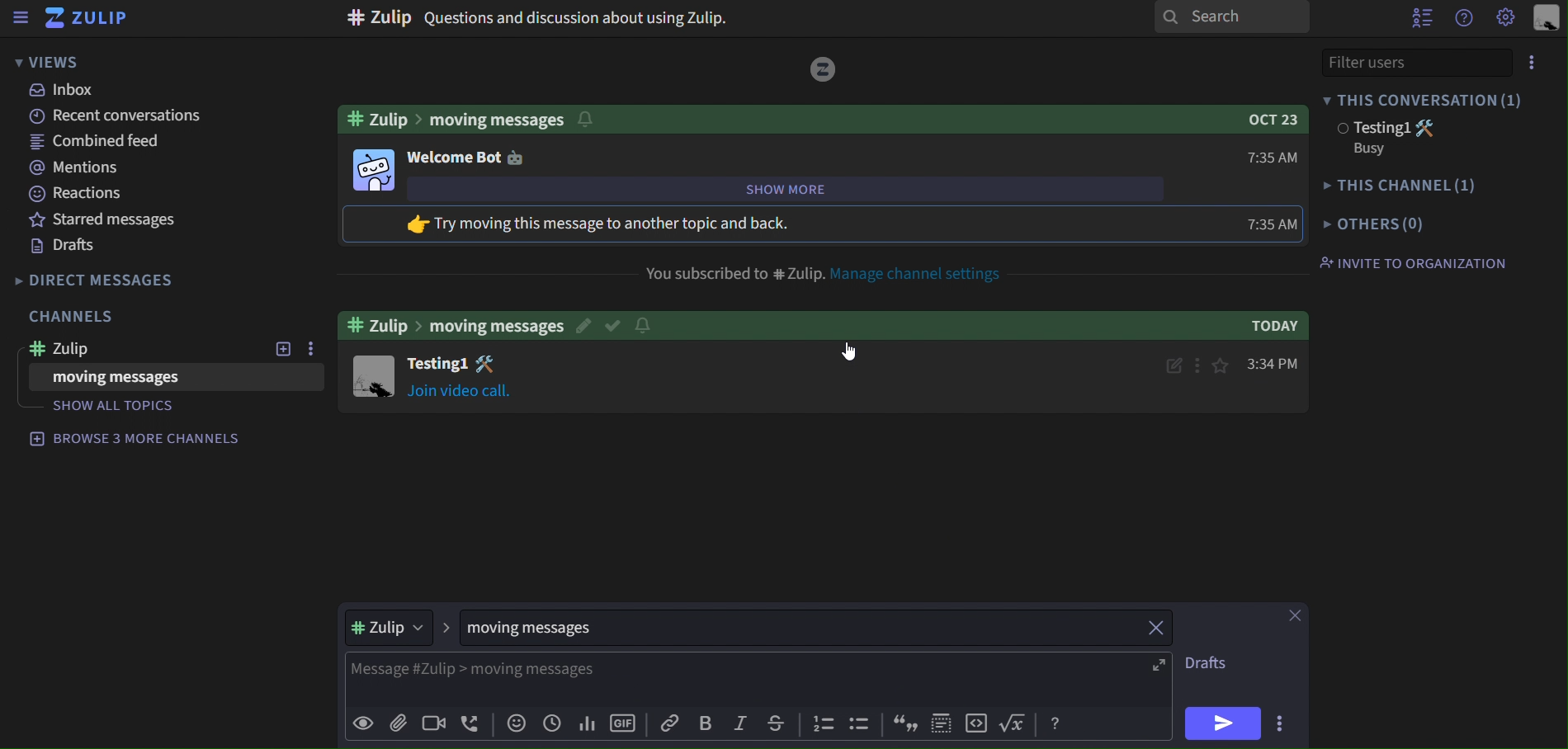 The image size is (1568, 749). I want to click on show more, so click(822, 190).